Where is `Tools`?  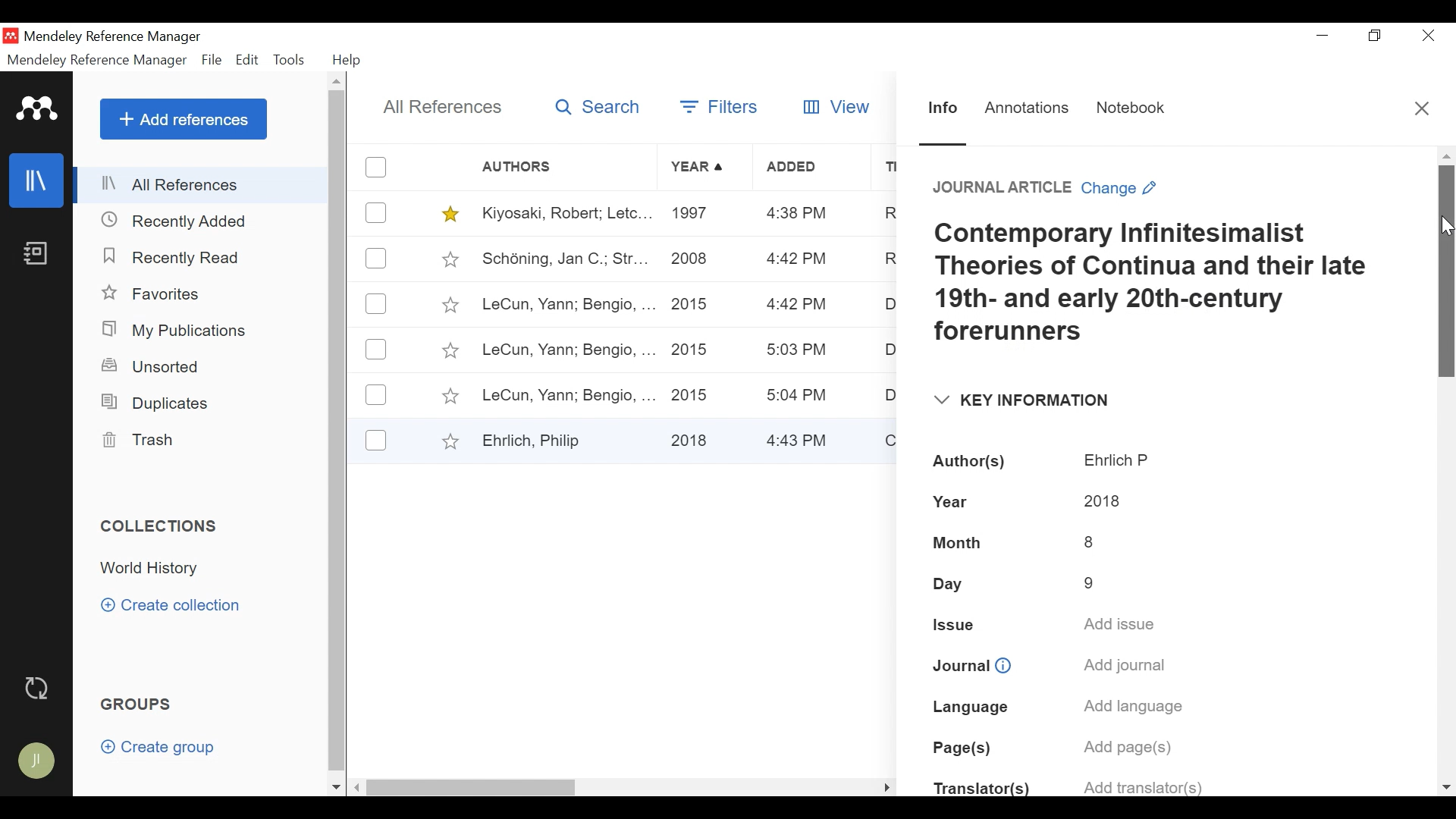 Tools is located at coordinates (290, 61).